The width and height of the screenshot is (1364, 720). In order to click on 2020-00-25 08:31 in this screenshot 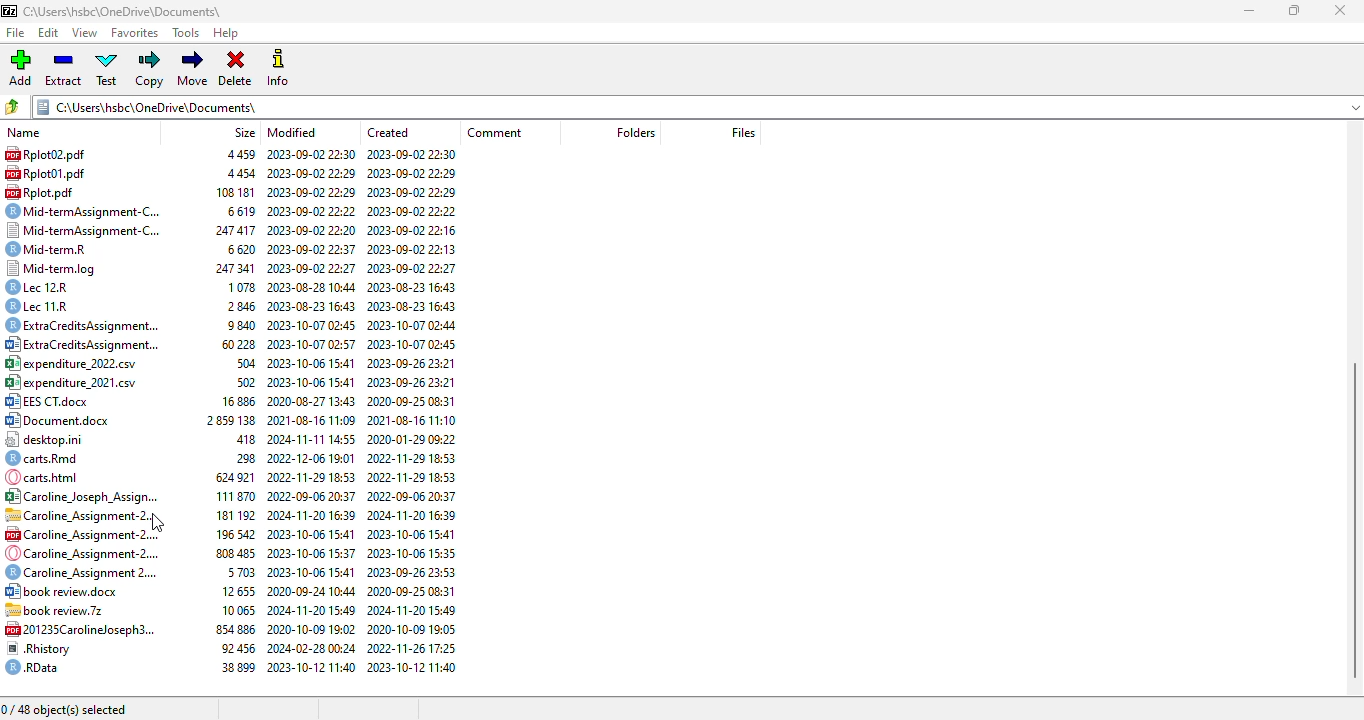, I will do `click(412, 589)`.